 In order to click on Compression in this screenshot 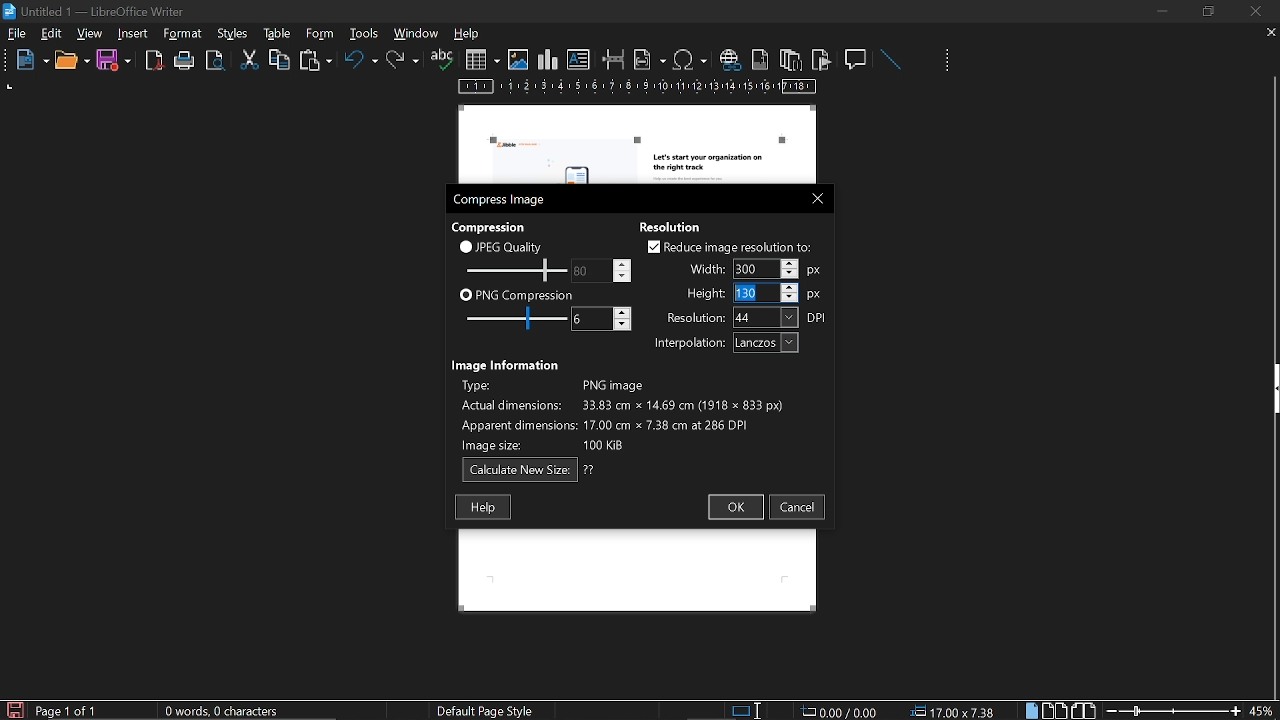, I will do `click(491, 226)`.